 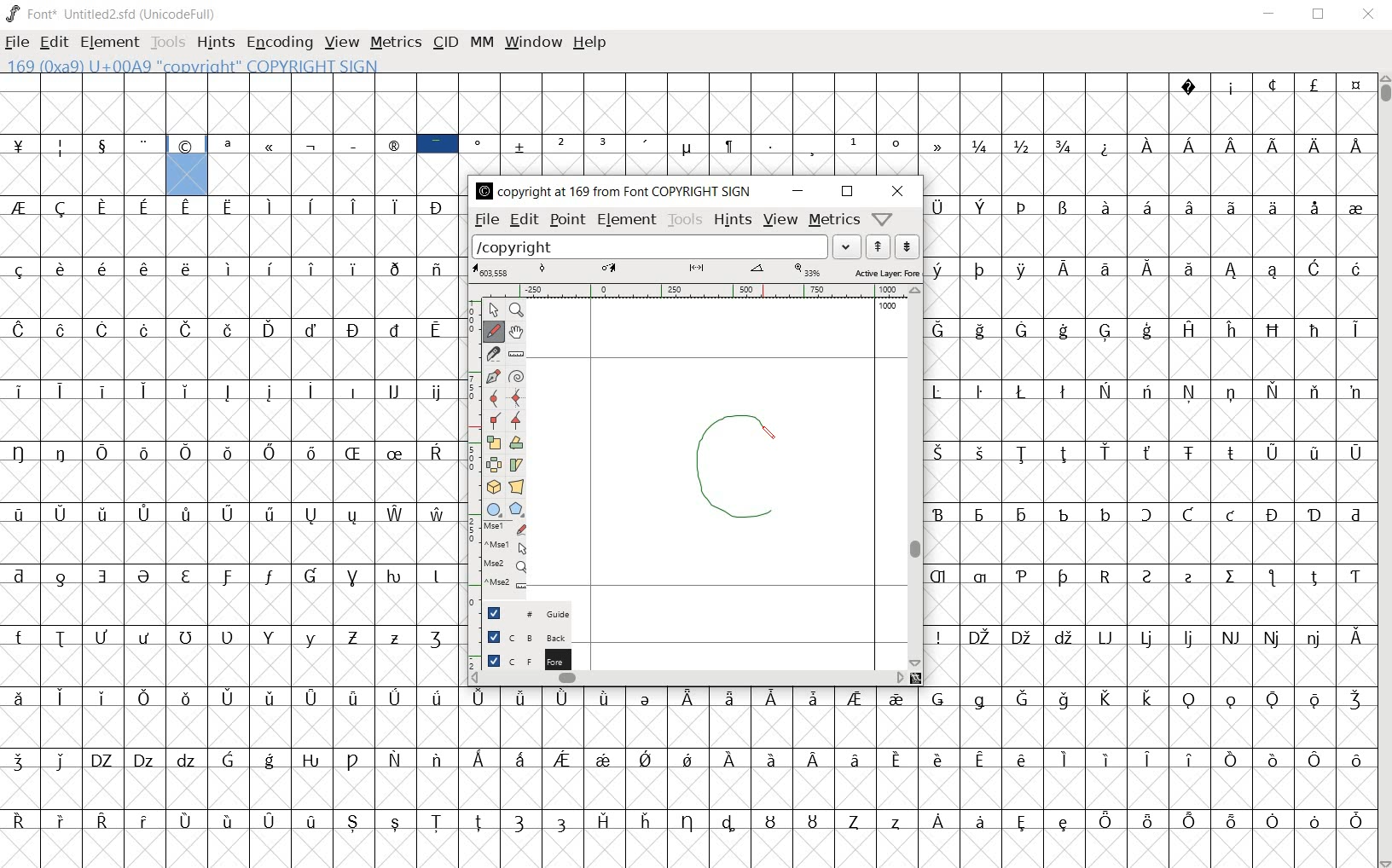 I want to click on hints, so click(x=731, y=219).